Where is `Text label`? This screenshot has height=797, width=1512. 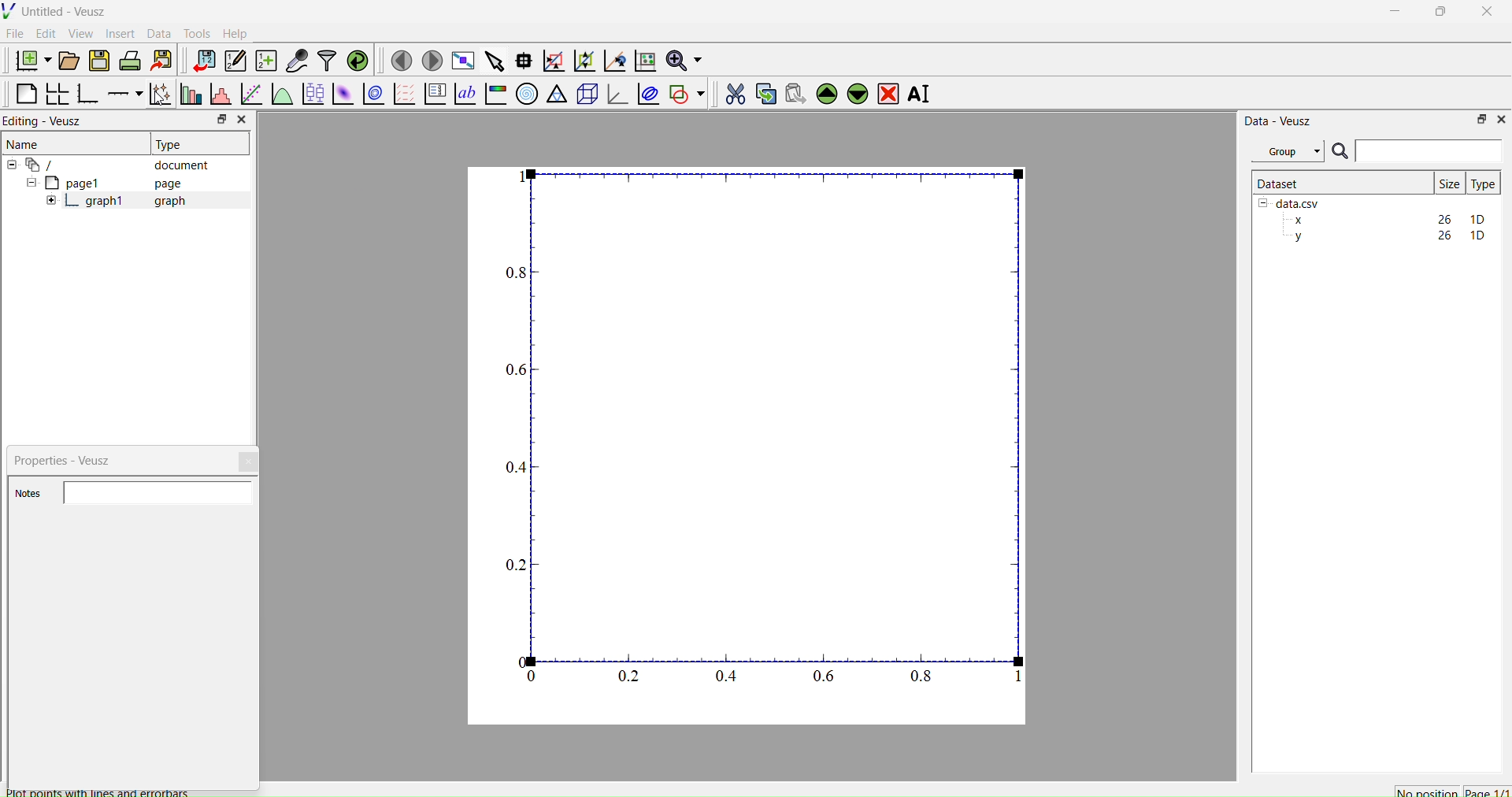
Text label is located at coordinates (464, 94).